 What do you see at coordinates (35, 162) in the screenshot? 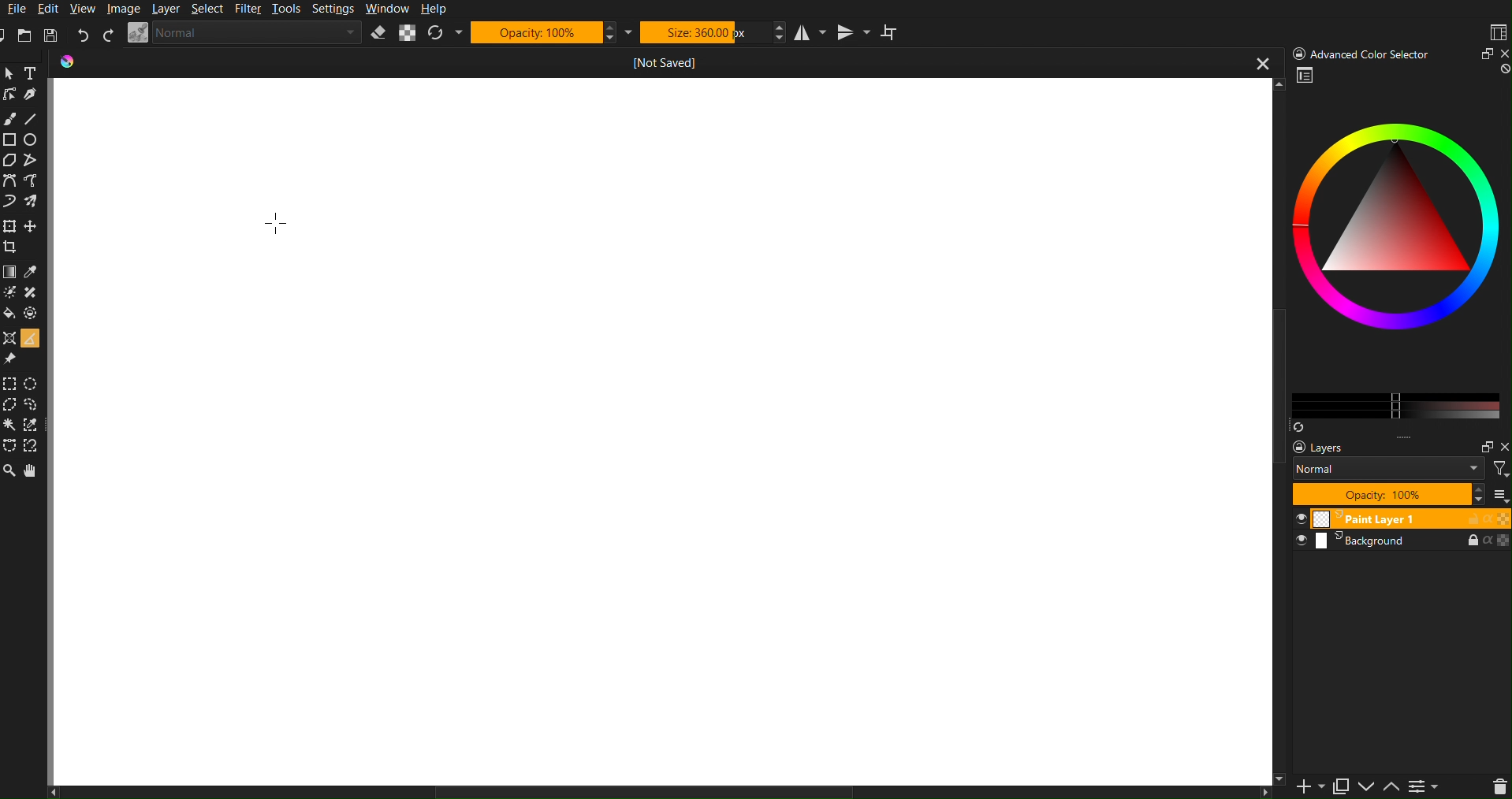
I see `Straight Line` at bounding box center [35, 162].